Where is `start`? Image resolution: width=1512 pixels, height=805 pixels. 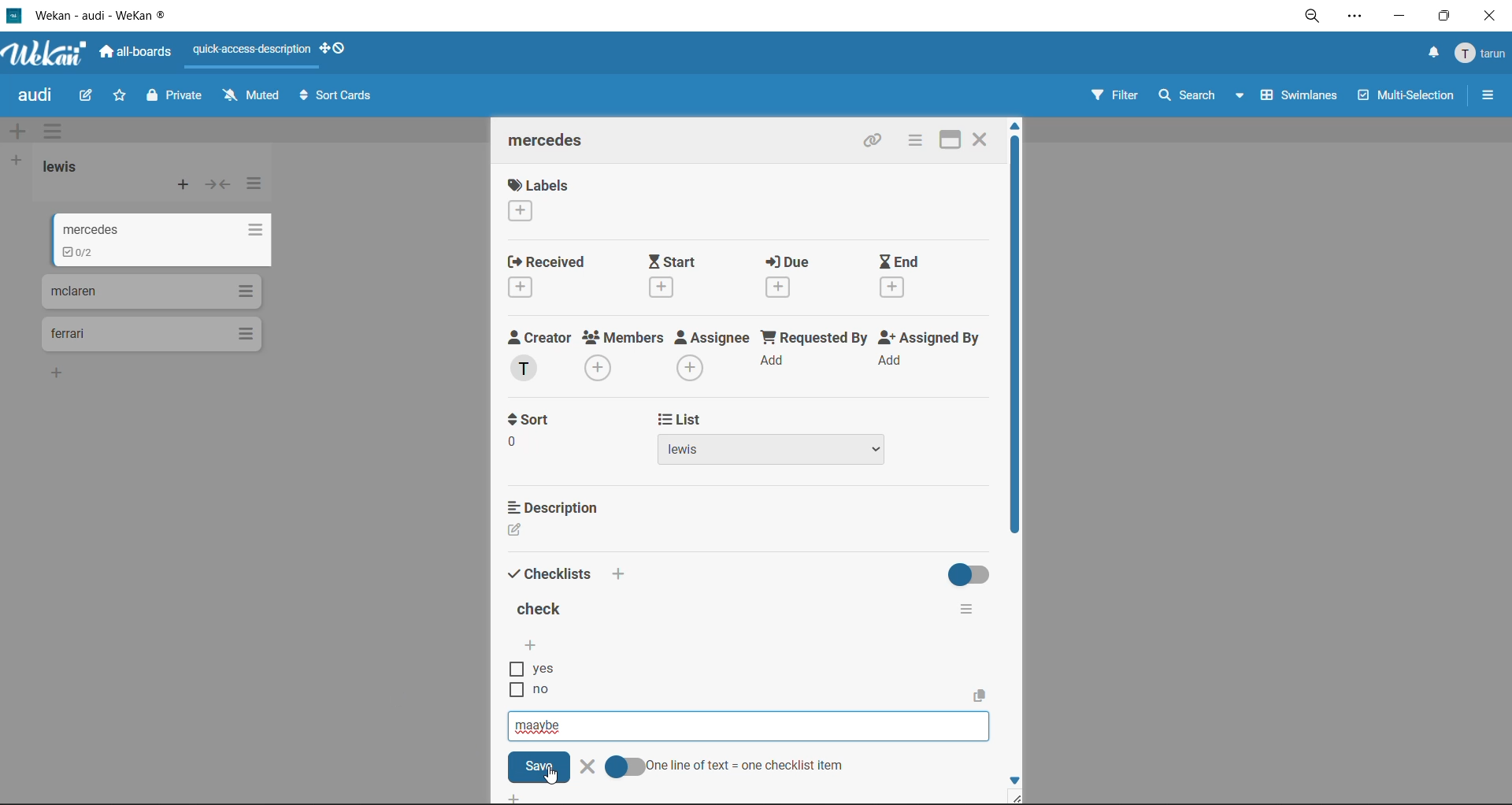
start is located at coordinates (680, 262).